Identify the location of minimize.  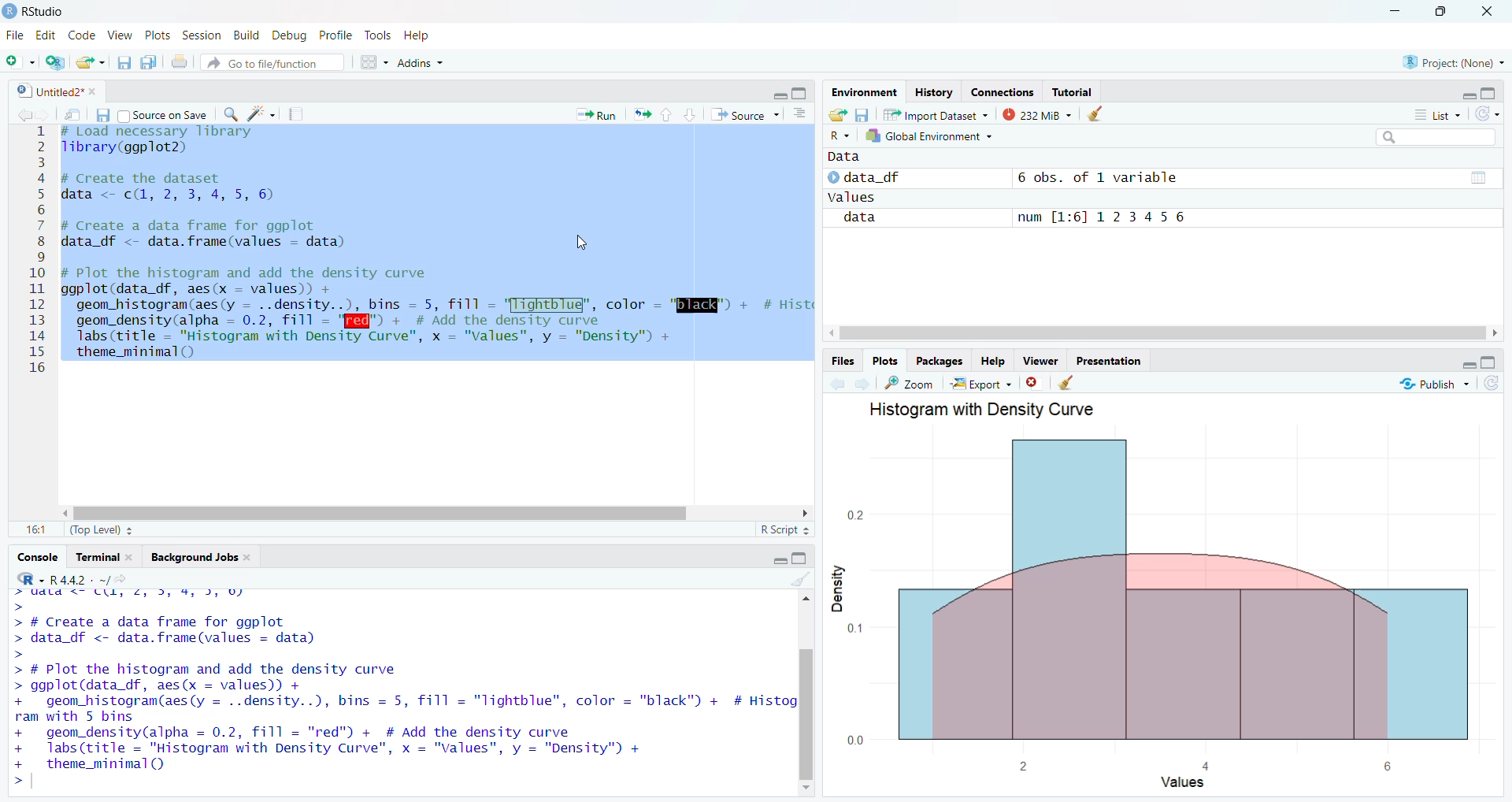
(1471, 94).